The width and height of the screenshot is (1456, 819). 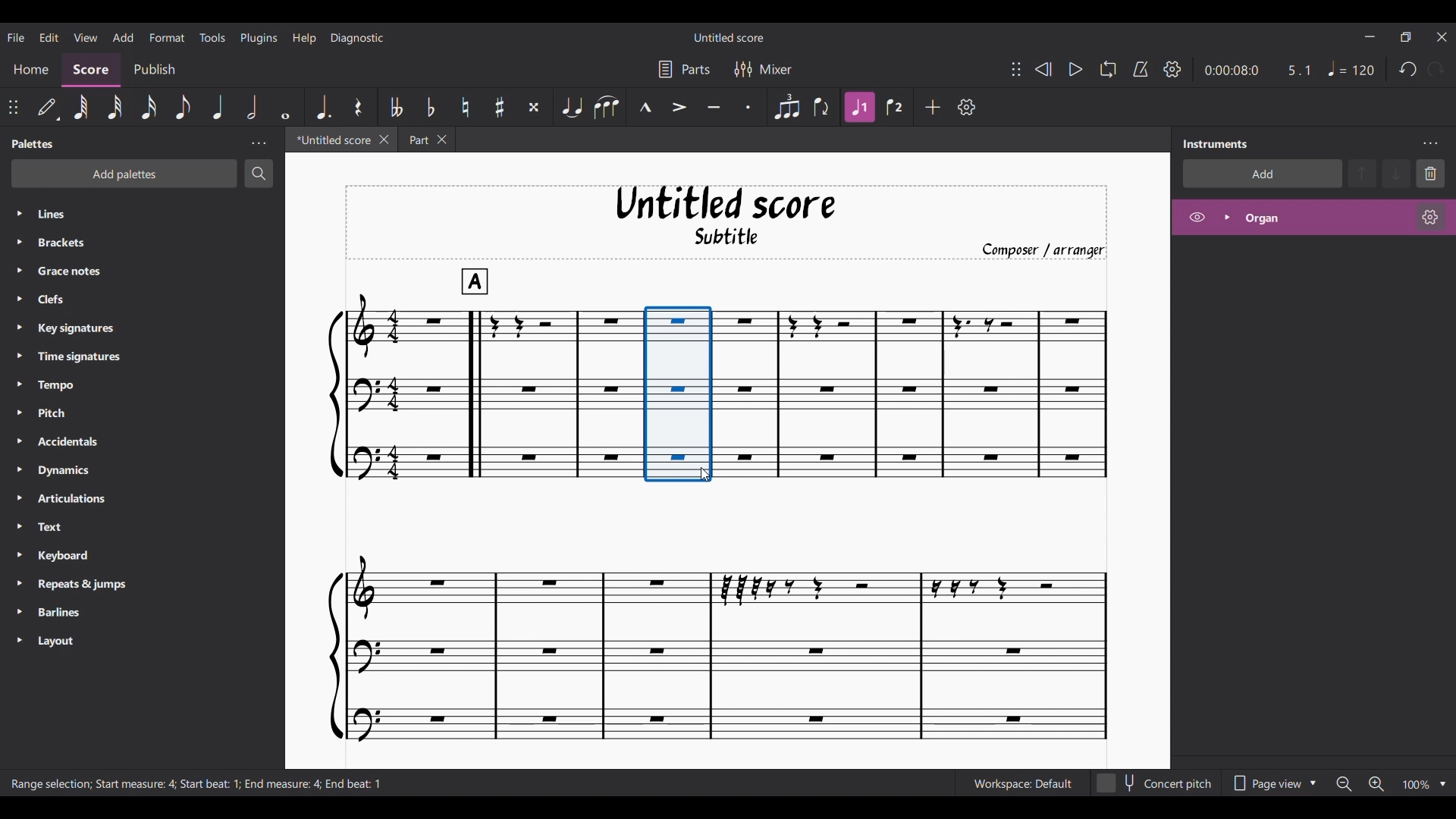 I want to click on Metronome, so click(x=1140, y=70).